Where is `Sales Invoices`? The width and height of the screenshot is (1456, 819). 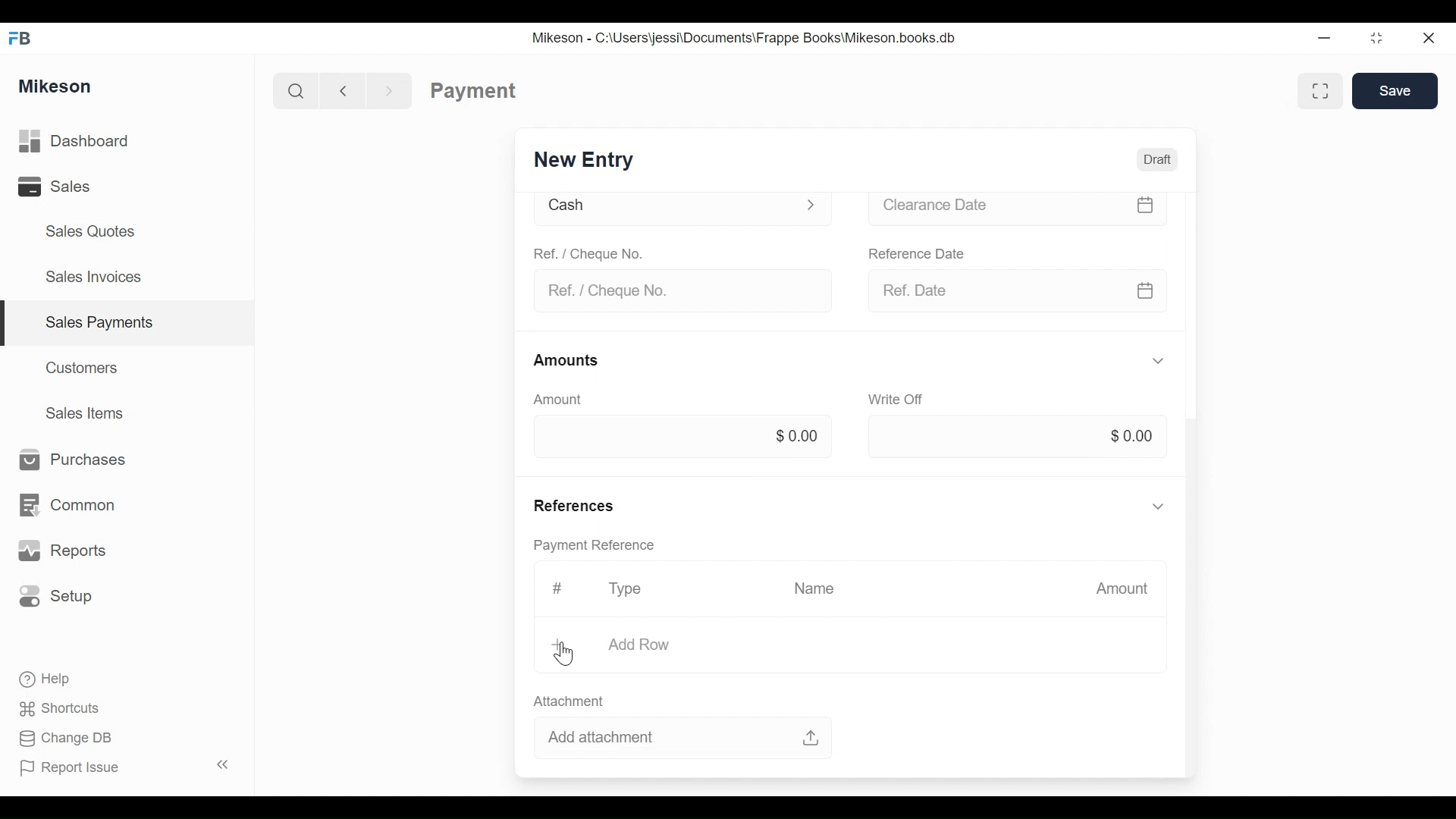 Sales Invoices is located at coordinates (88, 278).